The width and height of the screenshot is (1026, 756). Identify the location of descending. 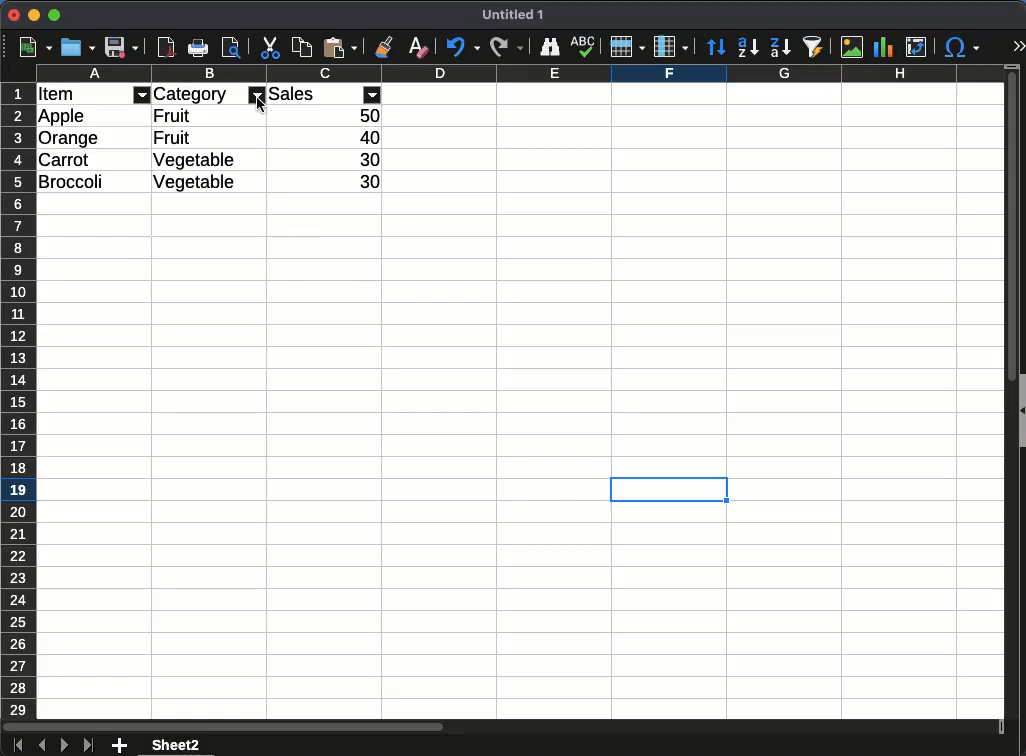
(747, 48).